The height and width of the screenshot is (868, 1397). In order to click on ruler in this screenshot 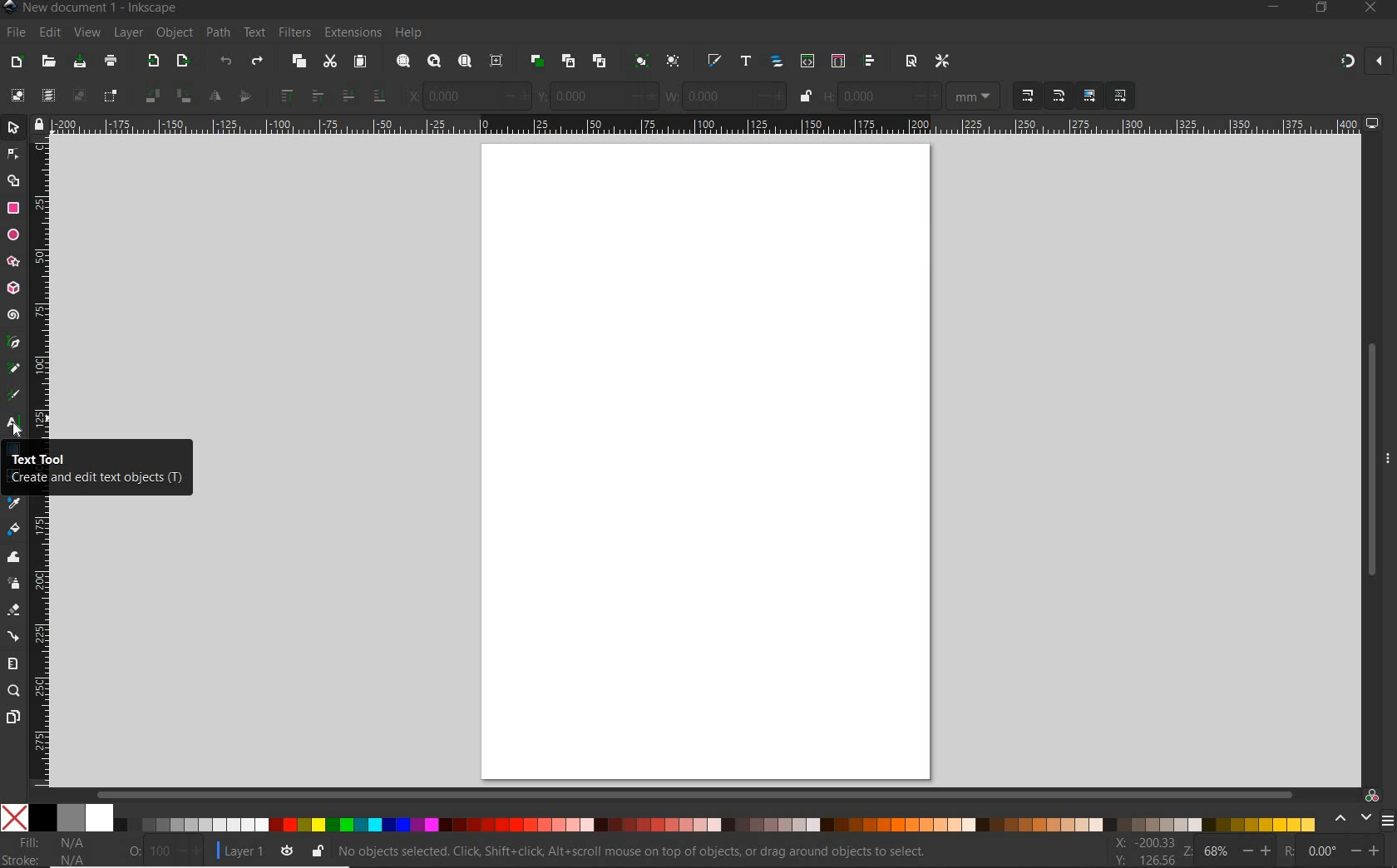, I will do `click(39, 643)`.